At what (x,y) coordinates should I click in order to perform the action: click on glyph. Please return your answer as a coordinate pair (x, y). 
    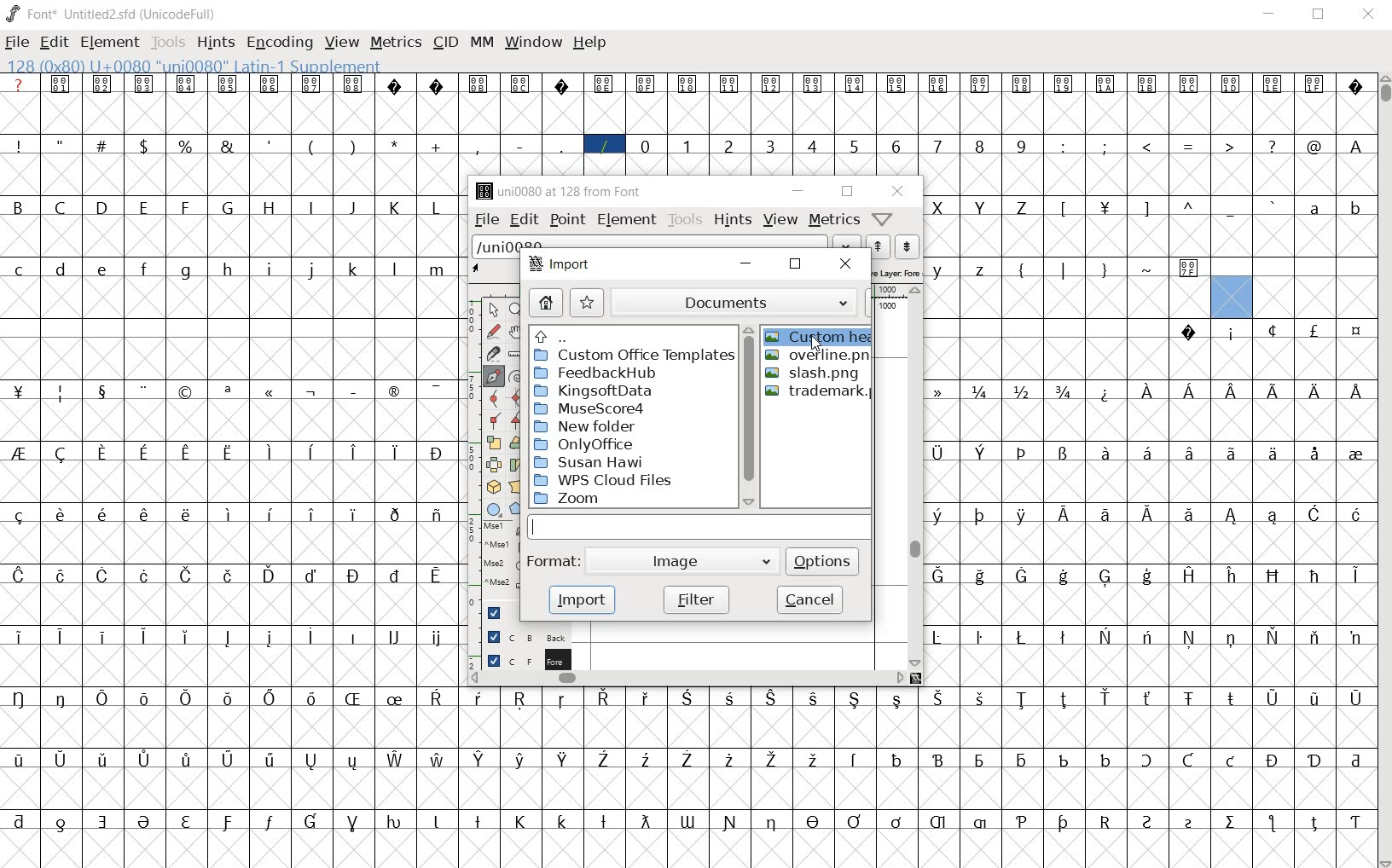
    Looking at the image, I should click on (145, 391).